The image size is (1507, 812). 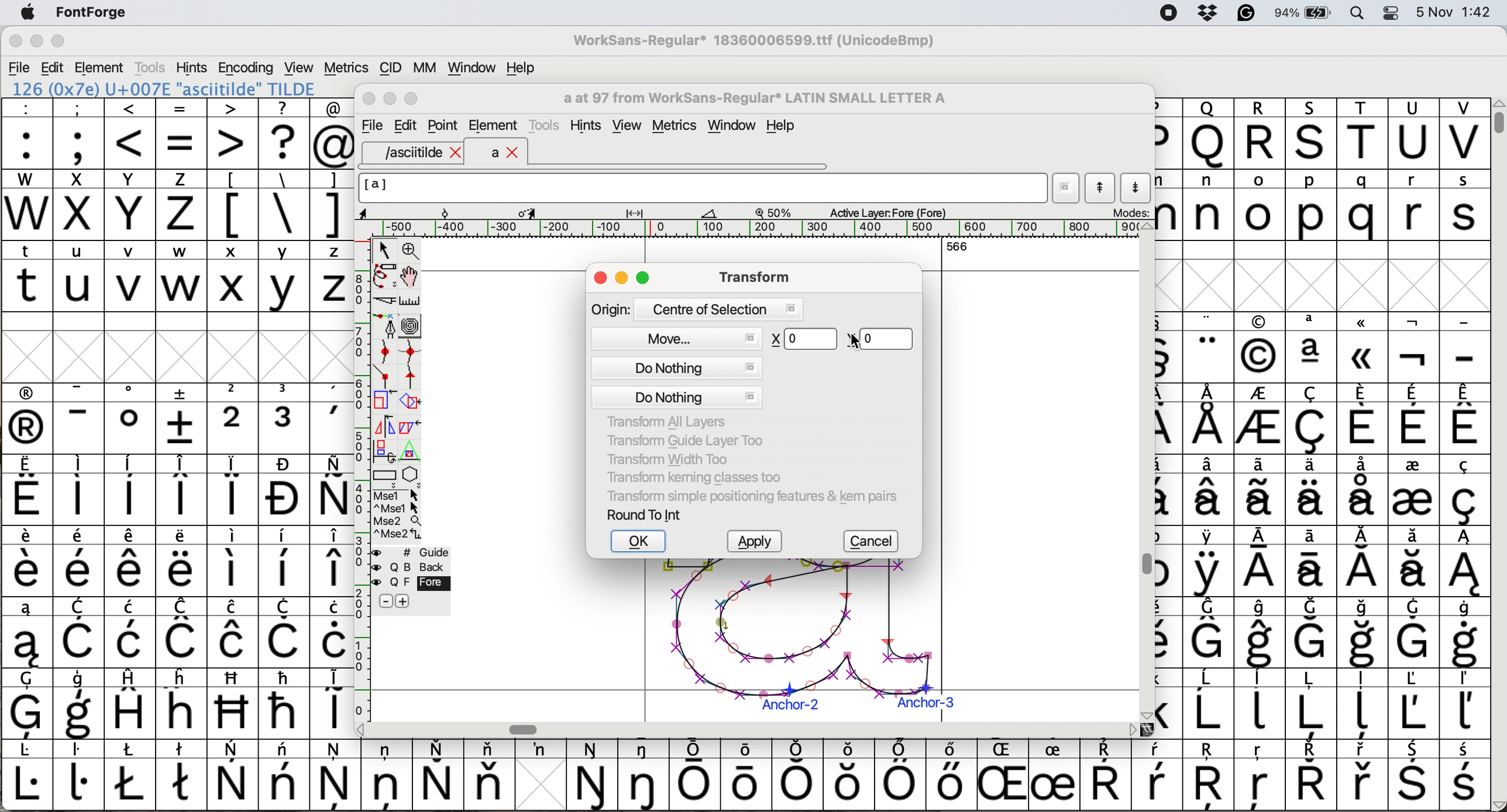 I want to click on scroll by hand, so click(x=411, y=277).